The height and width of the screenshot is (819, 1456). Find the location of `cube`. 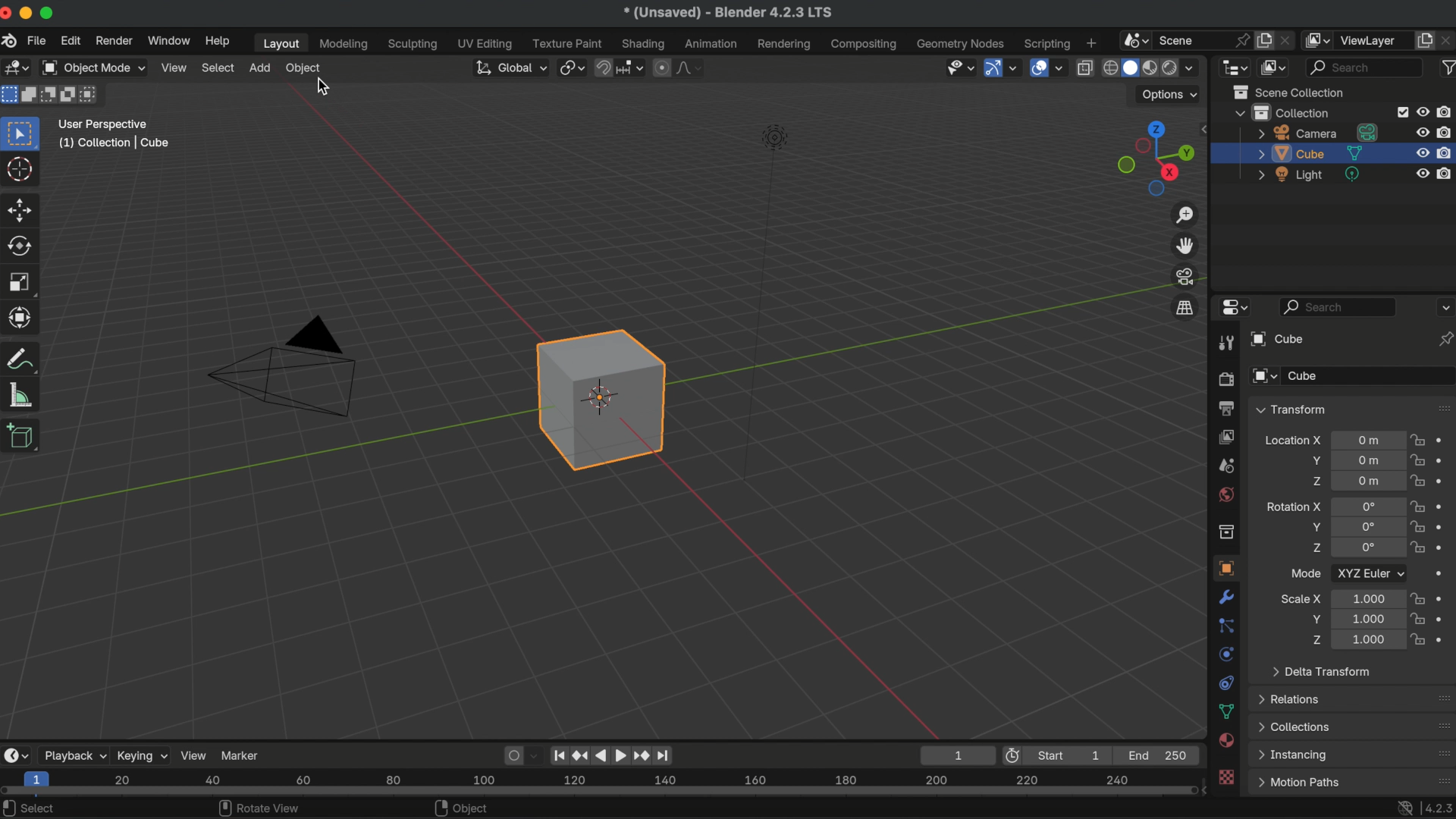

cube is located at coordinates (601, 399).